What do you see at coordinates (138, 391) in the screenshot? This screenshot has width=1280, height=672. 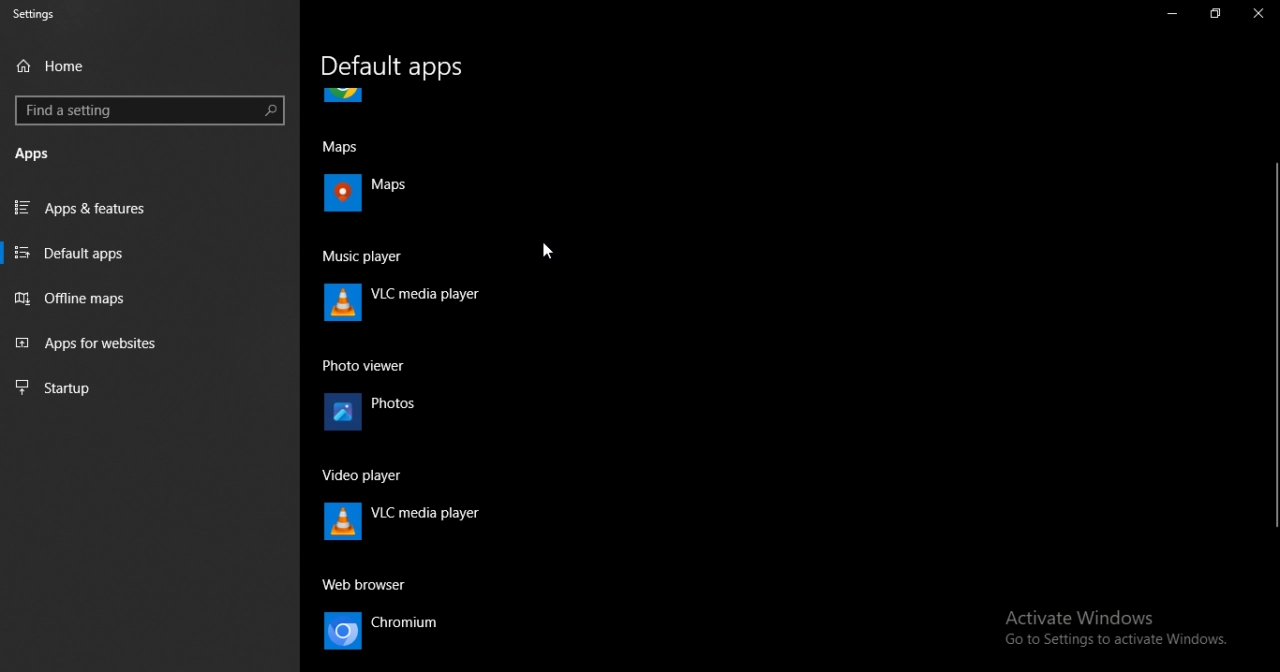 I see `startup` at bounding box center [138, 391].